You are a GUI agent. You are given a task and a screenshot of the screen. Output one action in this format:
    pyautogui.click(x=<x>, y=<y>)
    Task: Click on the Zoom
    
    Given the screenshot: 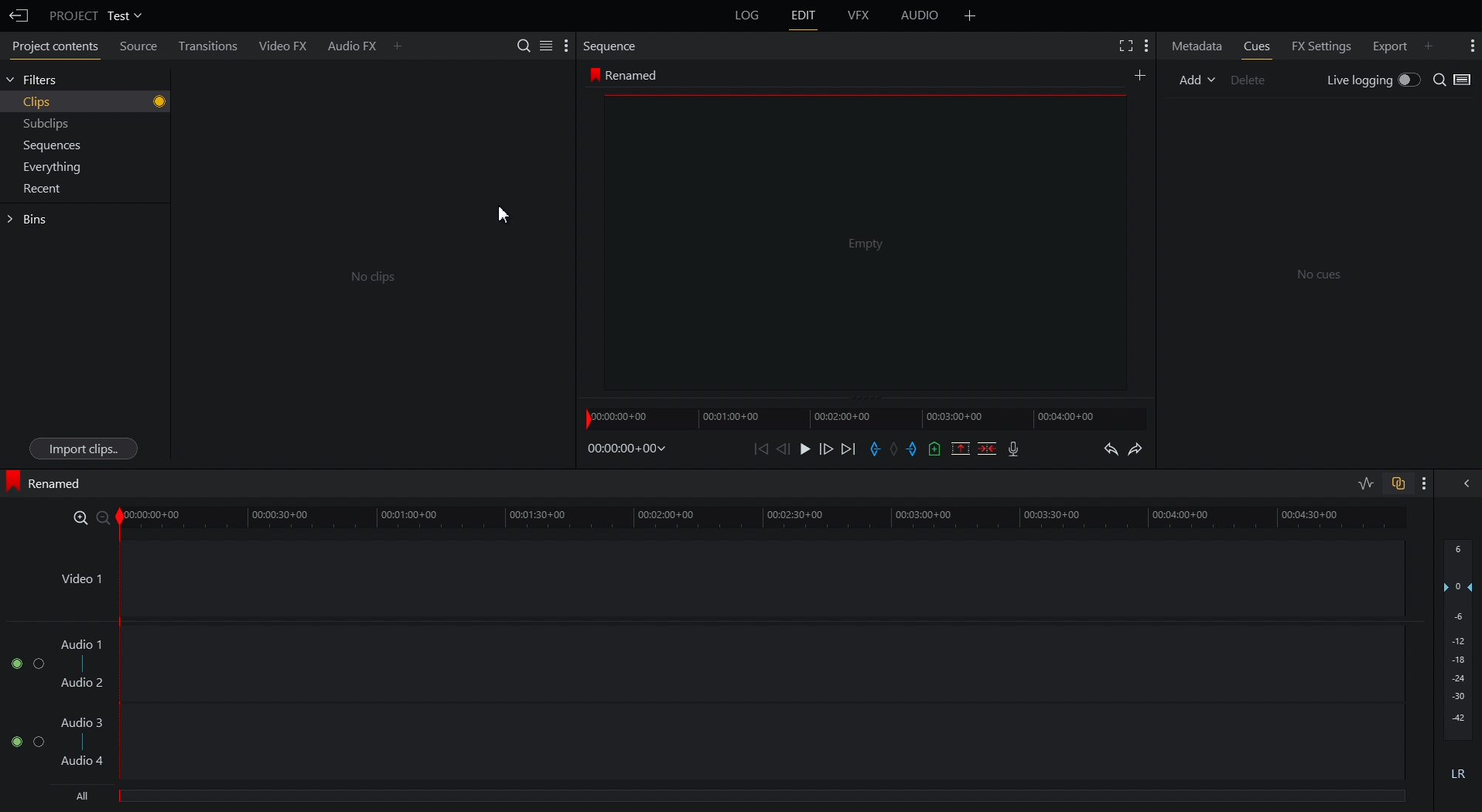 What is the action you would take?
    pyautogui.click(x=87, y=516)
    